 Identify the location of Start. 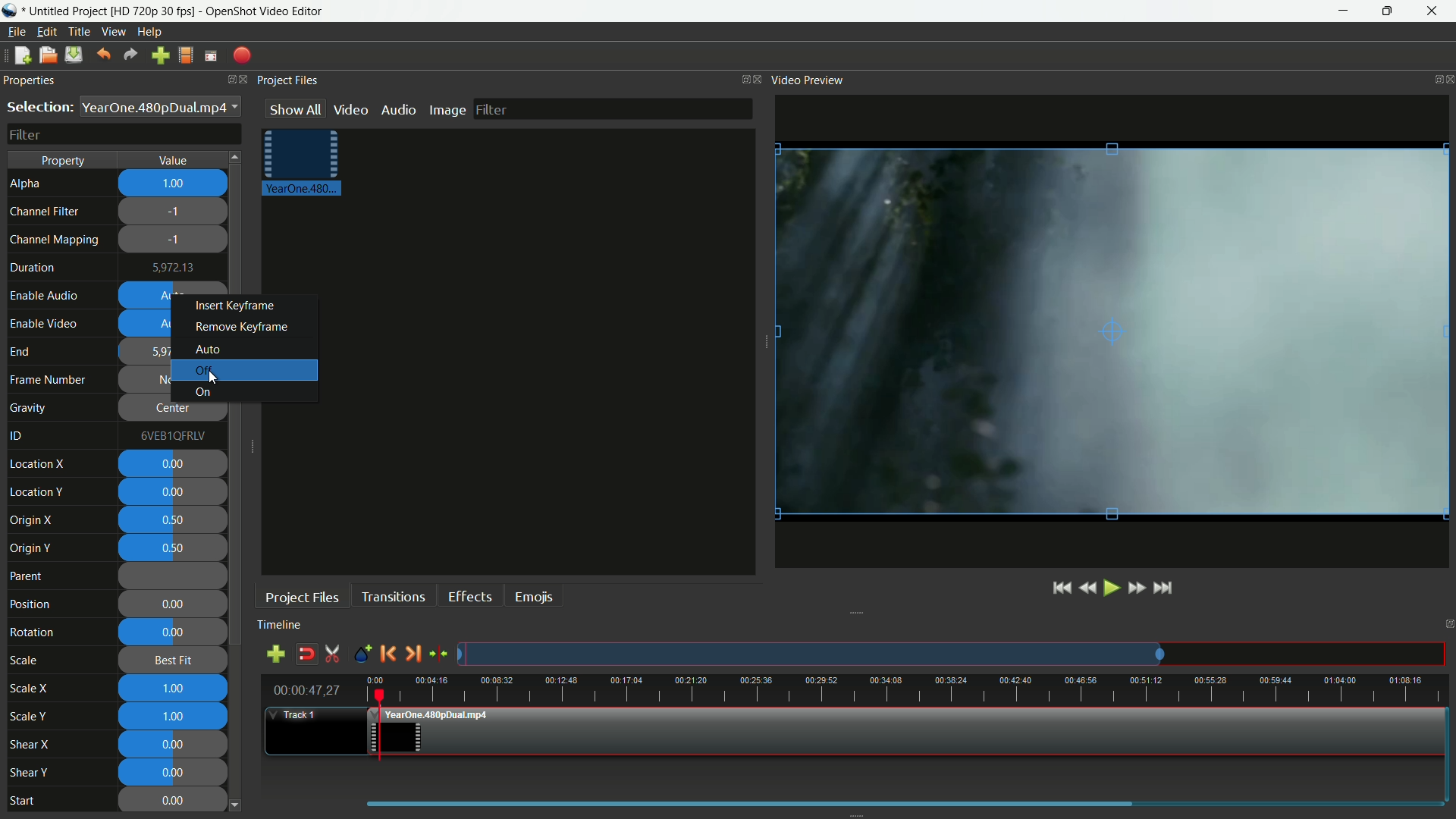
(33, 802).